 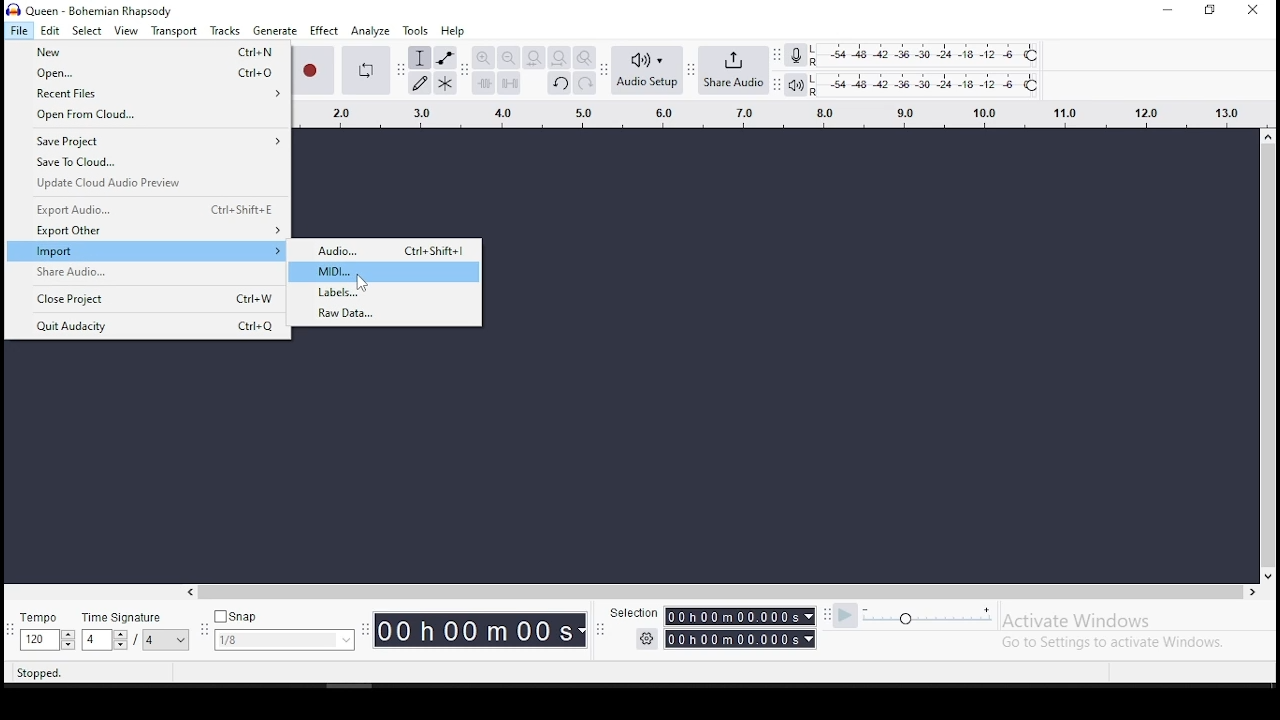 I want to click on fit selection to width, so click(x=533, y=58).